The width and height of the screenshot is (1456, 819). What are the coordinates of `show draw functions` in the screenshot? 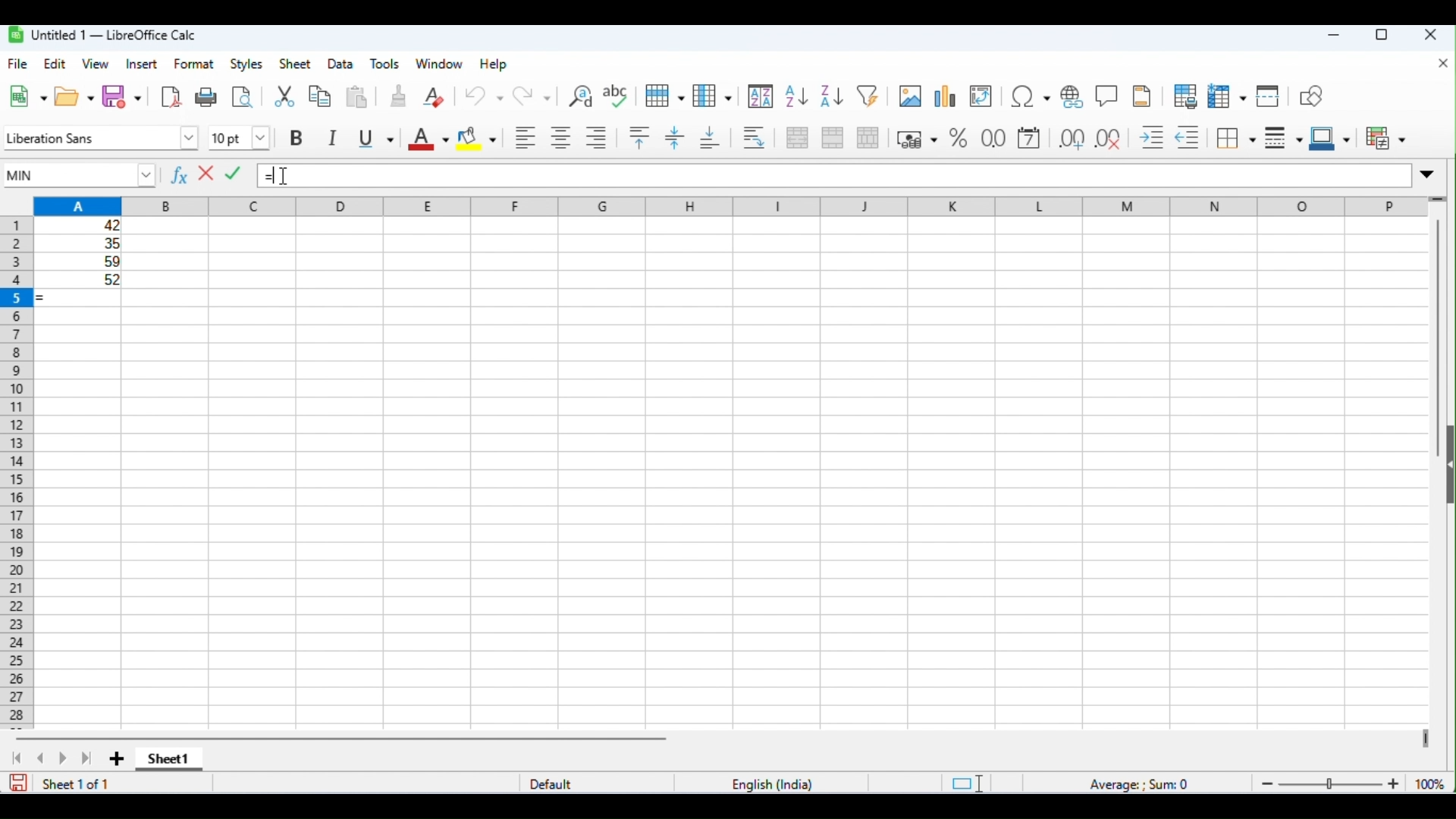 It's located at (1311, 97).